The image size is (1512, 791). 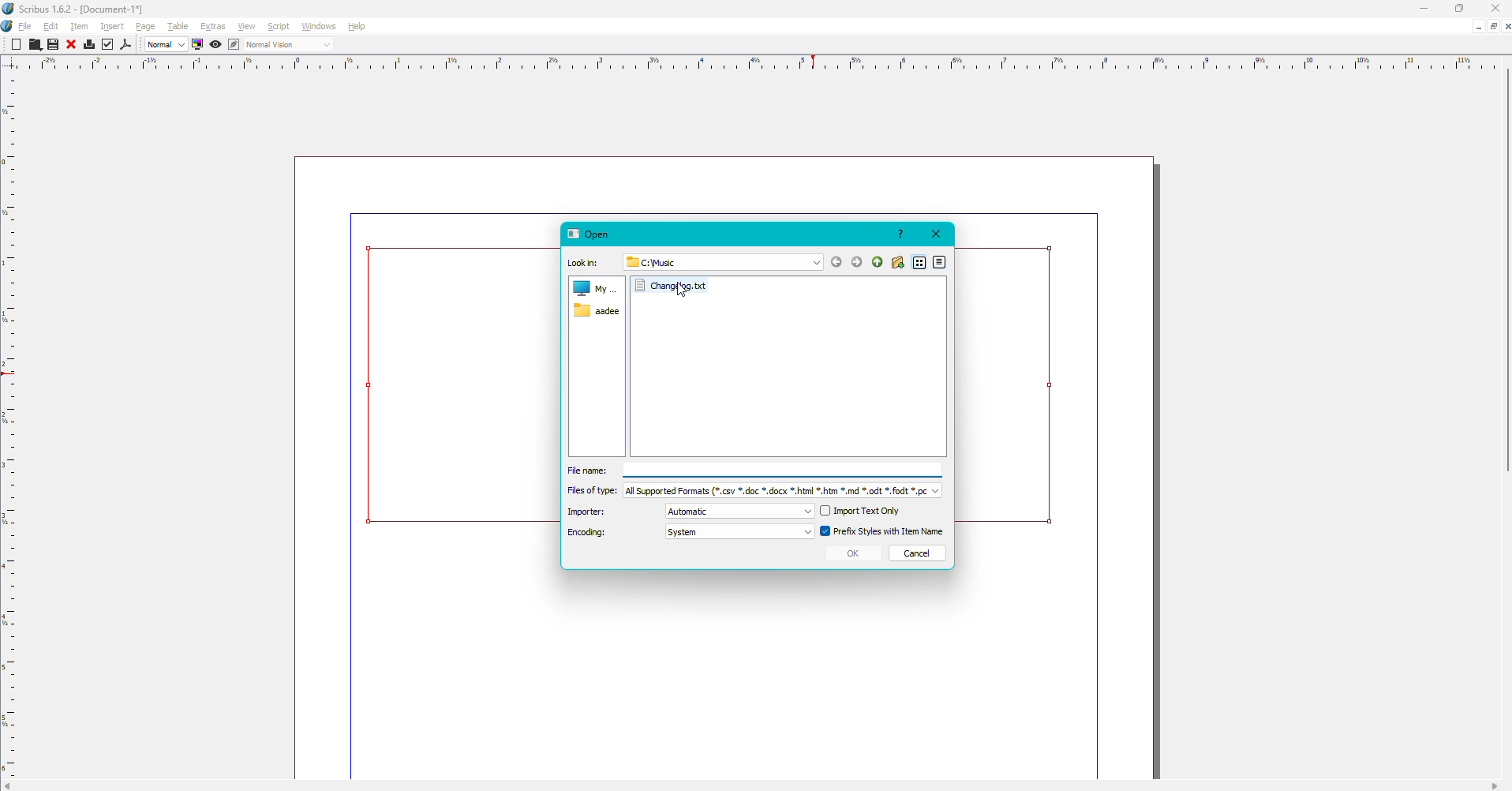 I want to click on Windows, so click(x=317, y=27).